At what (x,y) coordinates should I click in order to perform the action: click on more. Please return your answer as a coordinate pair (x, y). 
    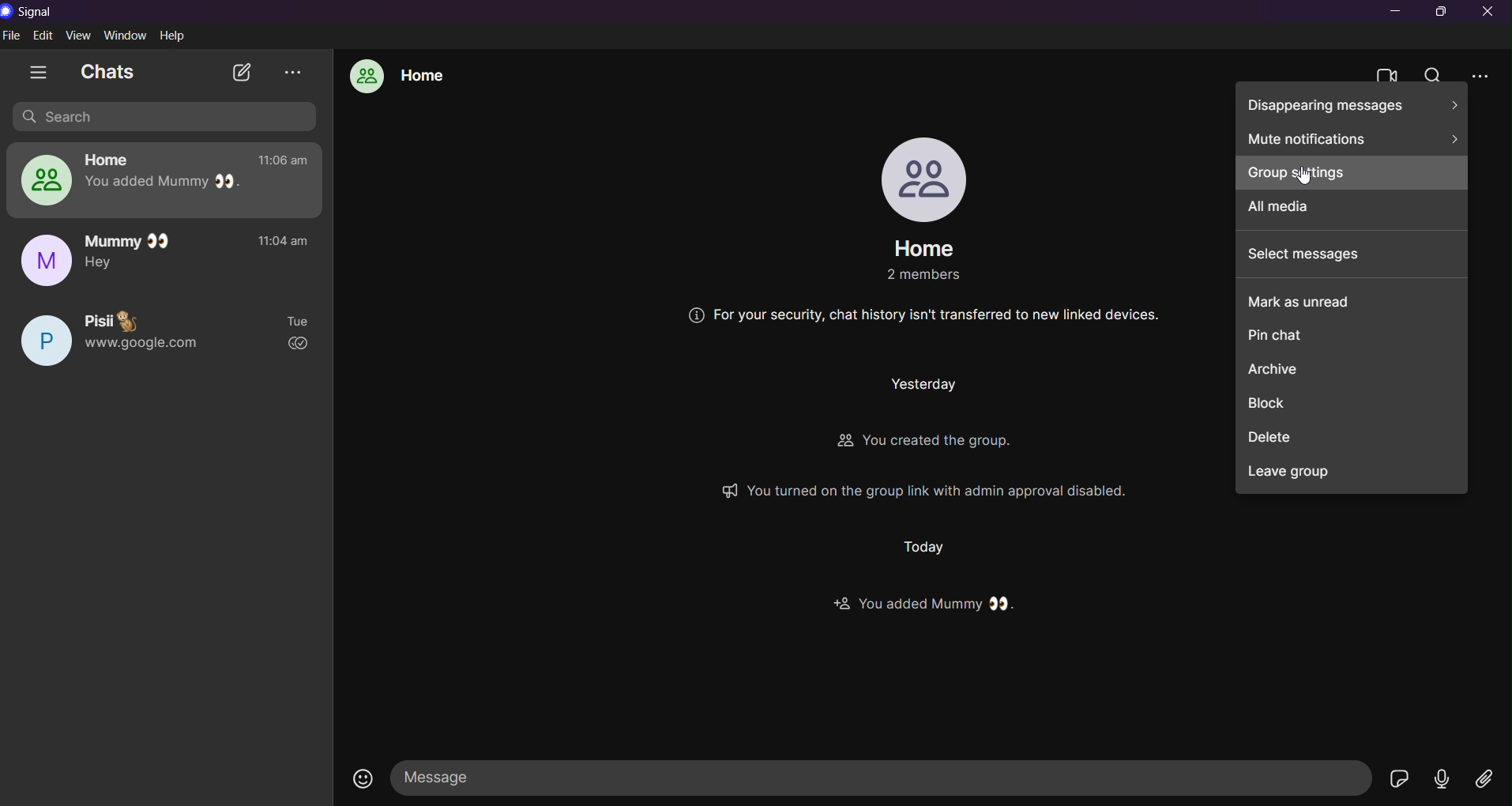
    Looking at the image, I should click on (1484, 72).